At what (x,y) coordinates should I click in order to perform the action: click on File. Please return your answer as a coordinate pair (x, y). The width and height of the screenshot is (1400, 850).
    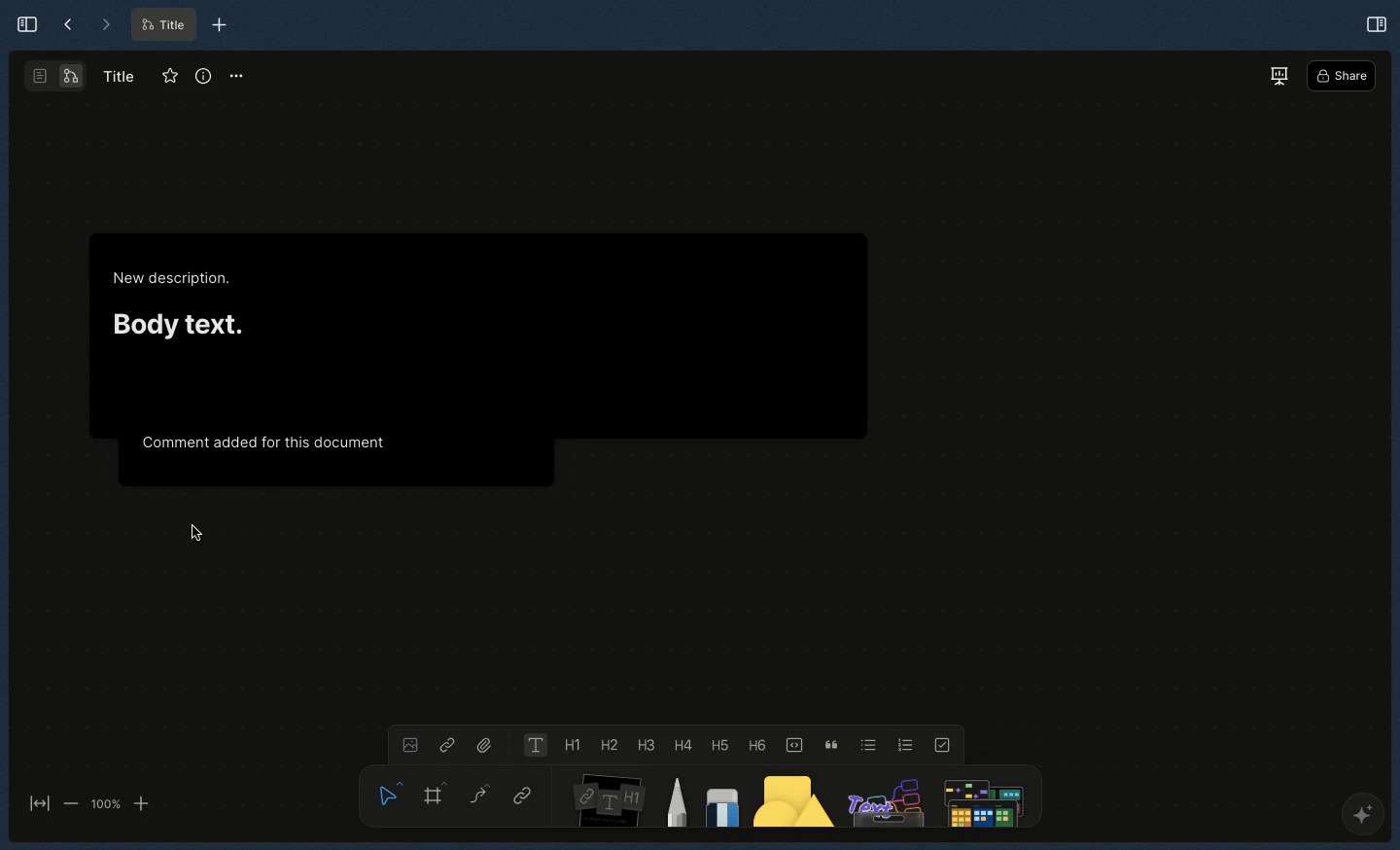
    Looking at the image, I should click on (486, 743).